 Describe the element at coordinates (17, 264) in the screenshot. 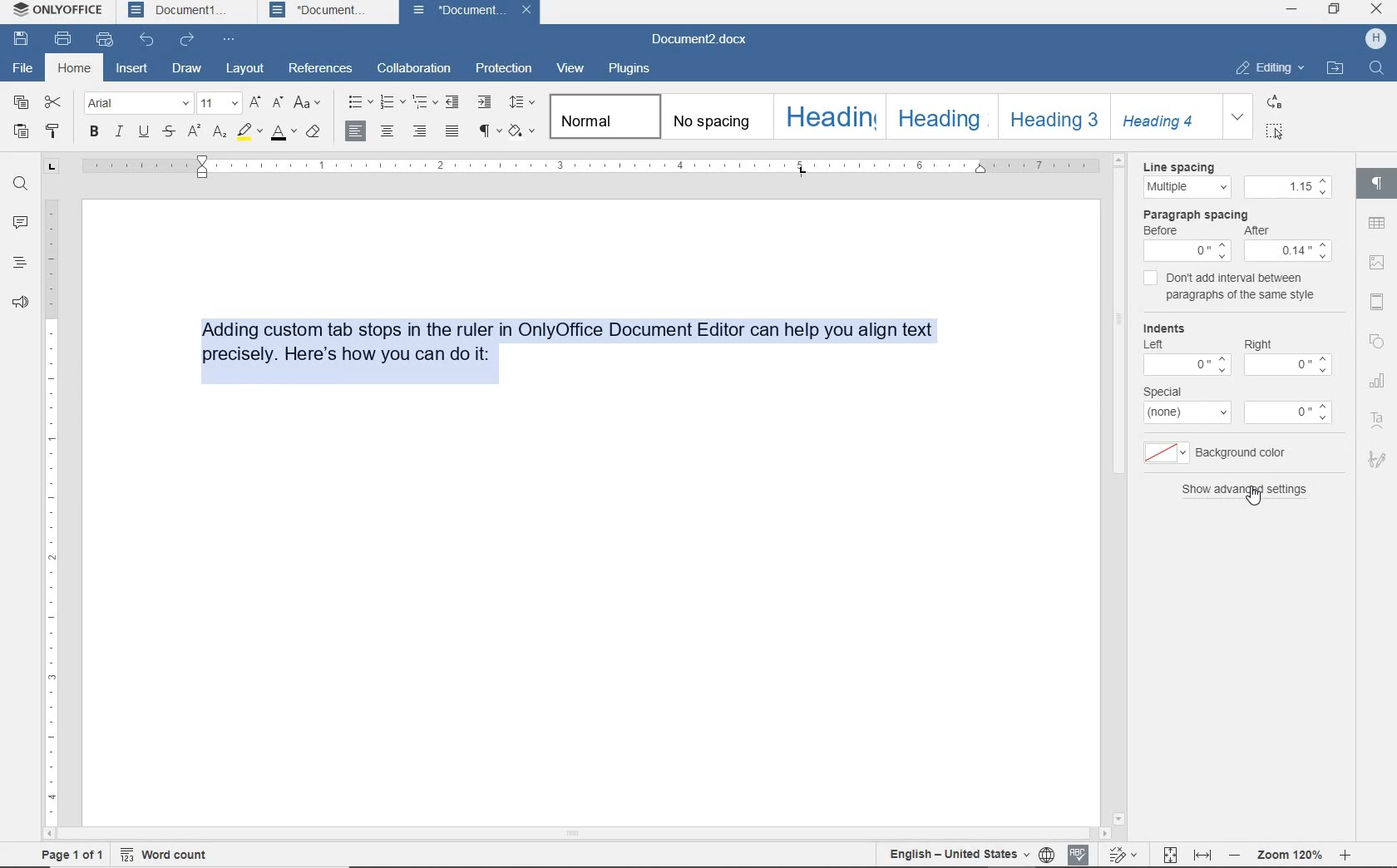

I see `headings` at that location.